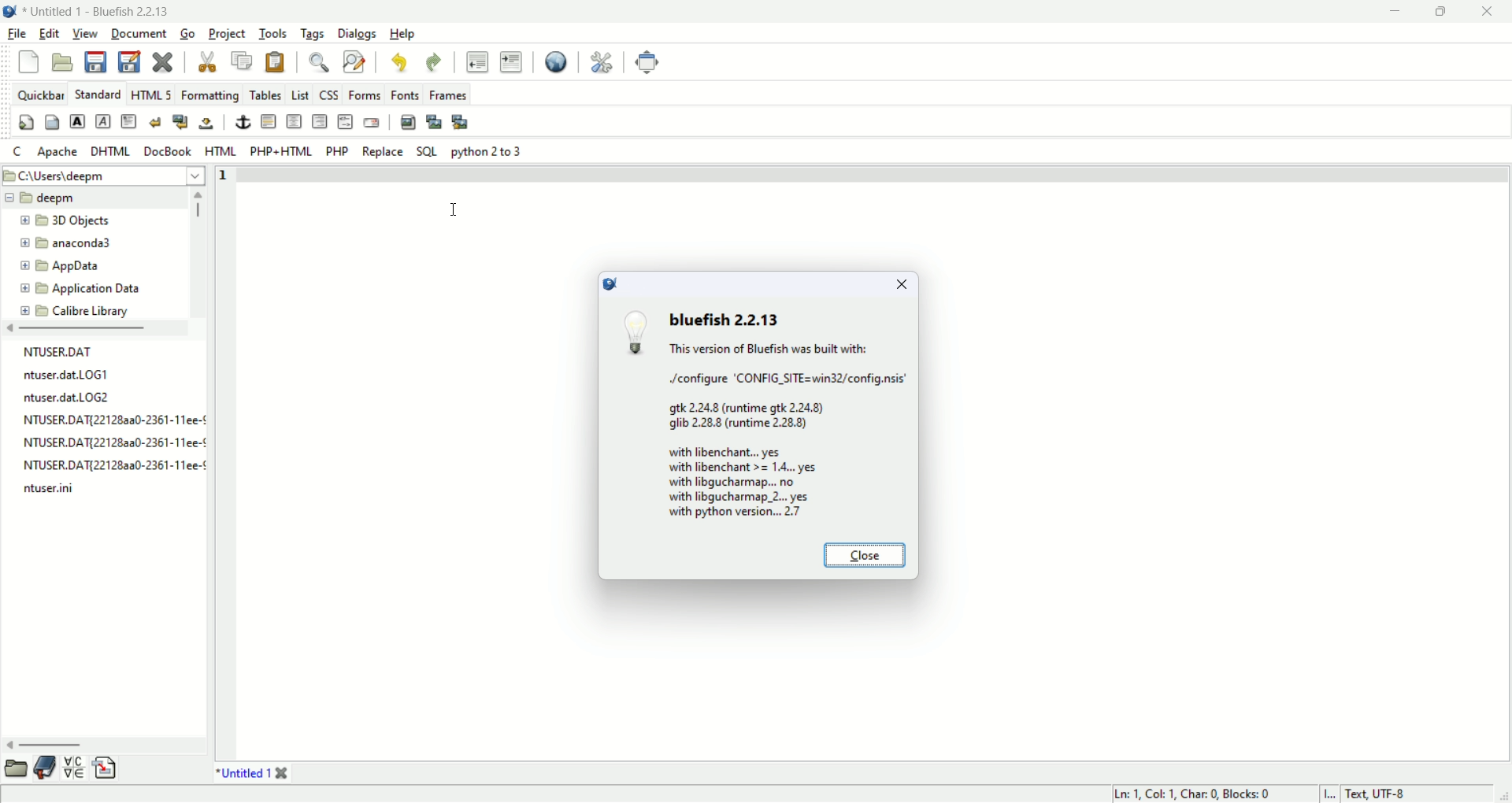  What do you see at coordinates (48, 35) in the screenshot?
I see `edit` at bounding box center [48, 35].